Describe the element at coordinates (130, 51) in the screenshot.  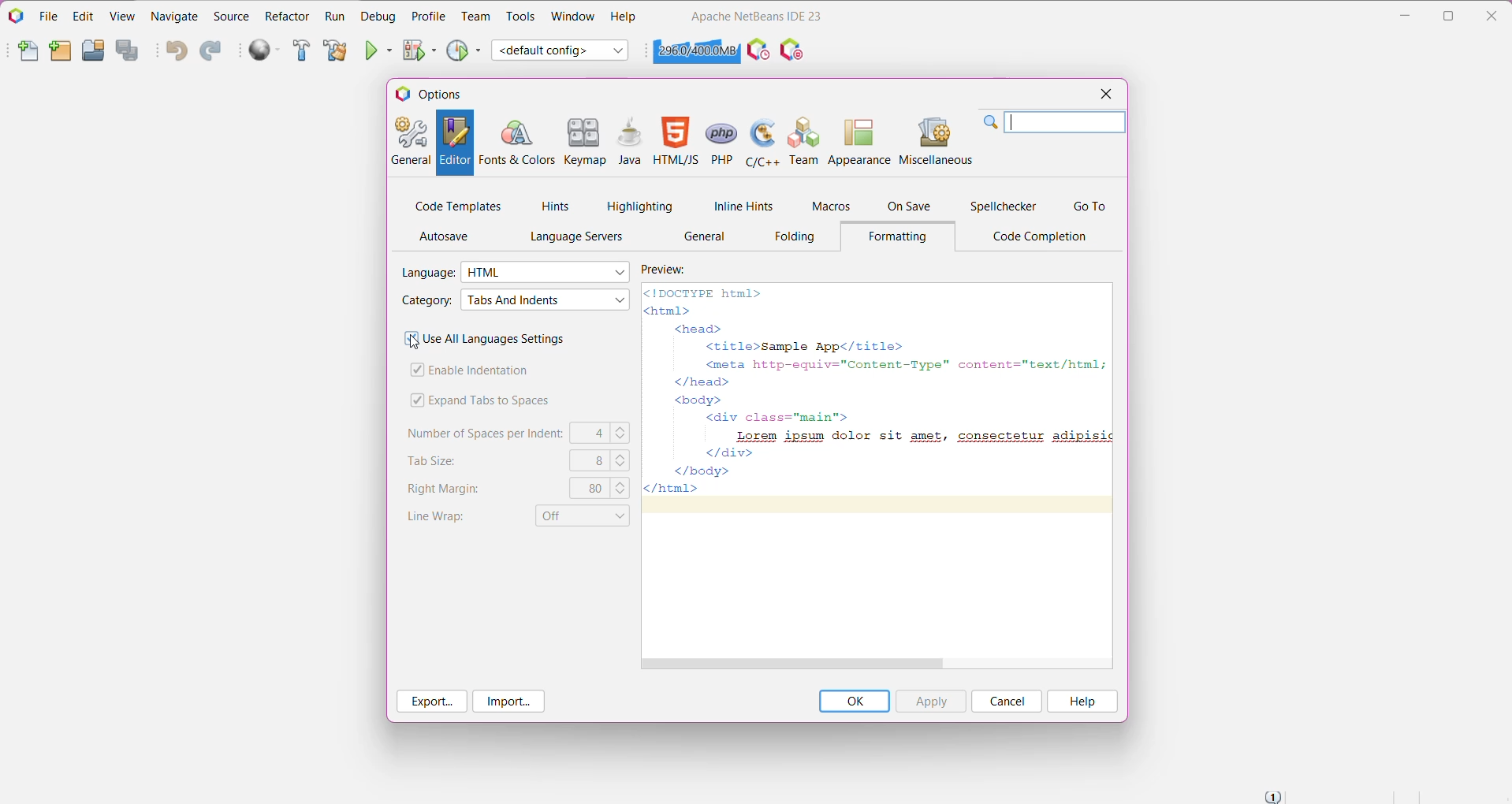
I see `Save All` at that location.